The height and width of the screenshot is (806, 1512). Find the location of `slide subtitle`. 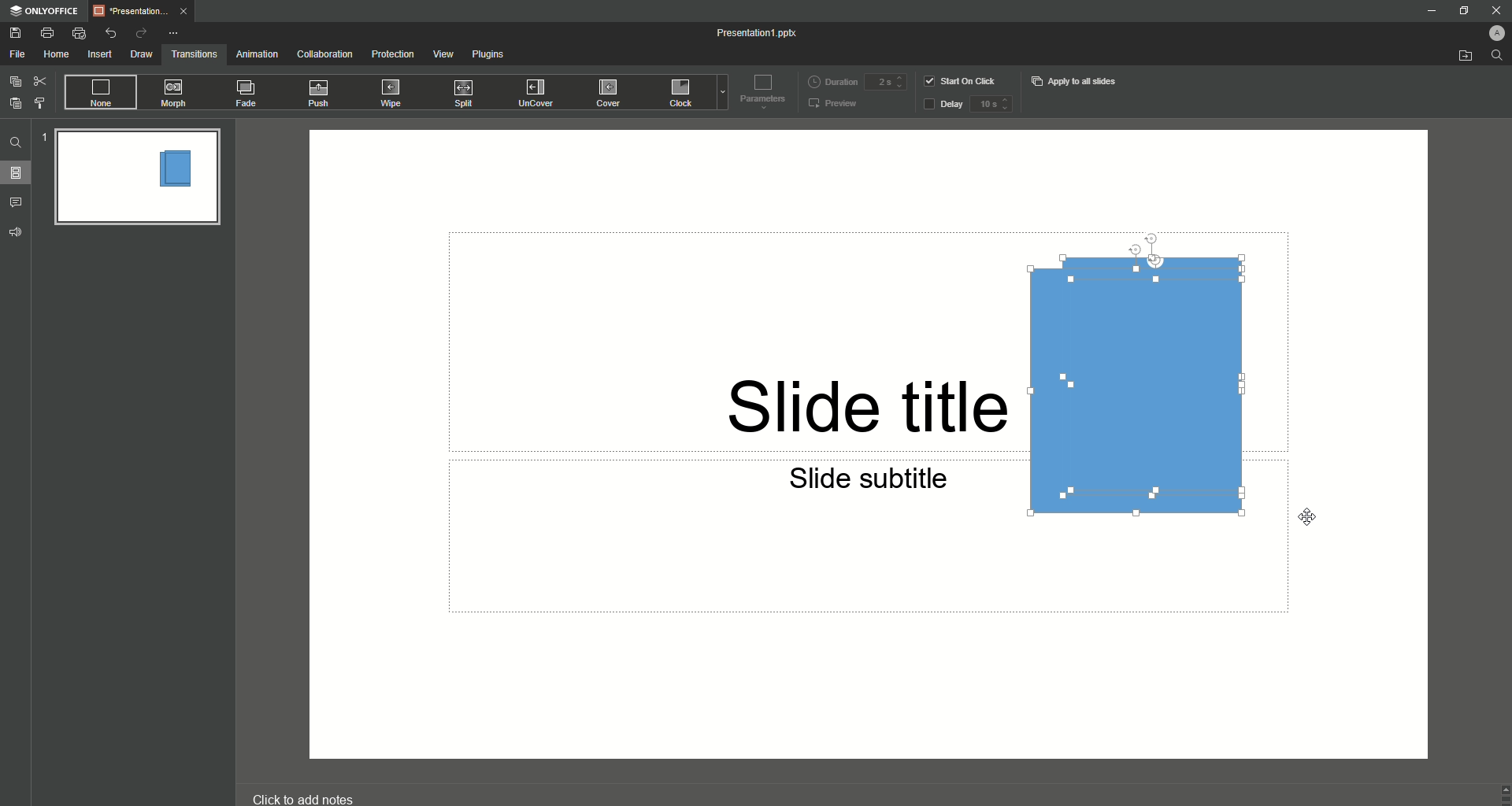

slide subtitle is located at coordinates (868, 479).